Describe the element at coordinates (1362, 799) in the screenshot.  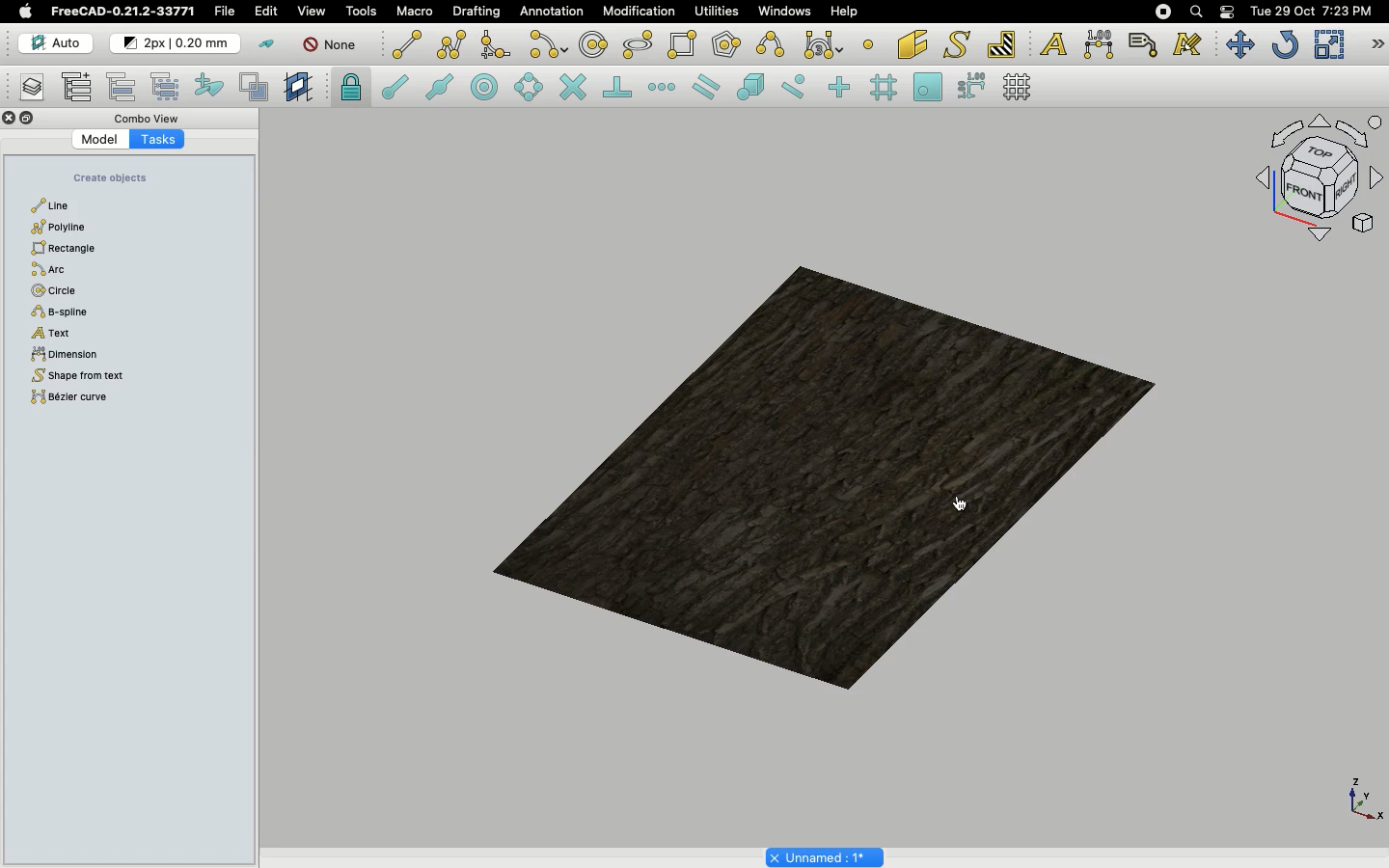
I see `Axis` at that location.